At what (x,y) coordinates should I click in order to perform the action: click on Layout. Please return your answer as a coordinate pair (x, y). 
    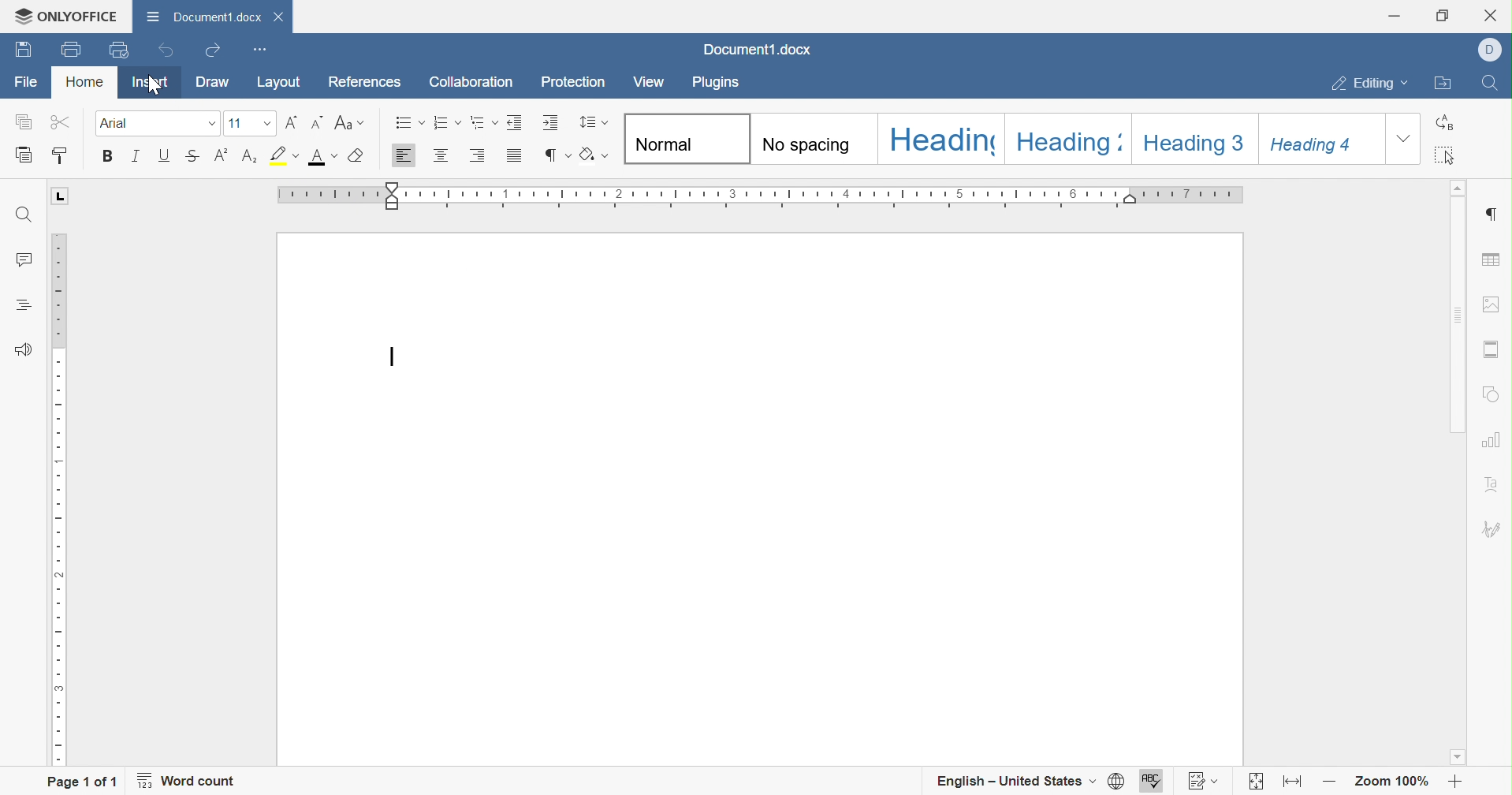
    Looking at the image, I should click on (283, 82).